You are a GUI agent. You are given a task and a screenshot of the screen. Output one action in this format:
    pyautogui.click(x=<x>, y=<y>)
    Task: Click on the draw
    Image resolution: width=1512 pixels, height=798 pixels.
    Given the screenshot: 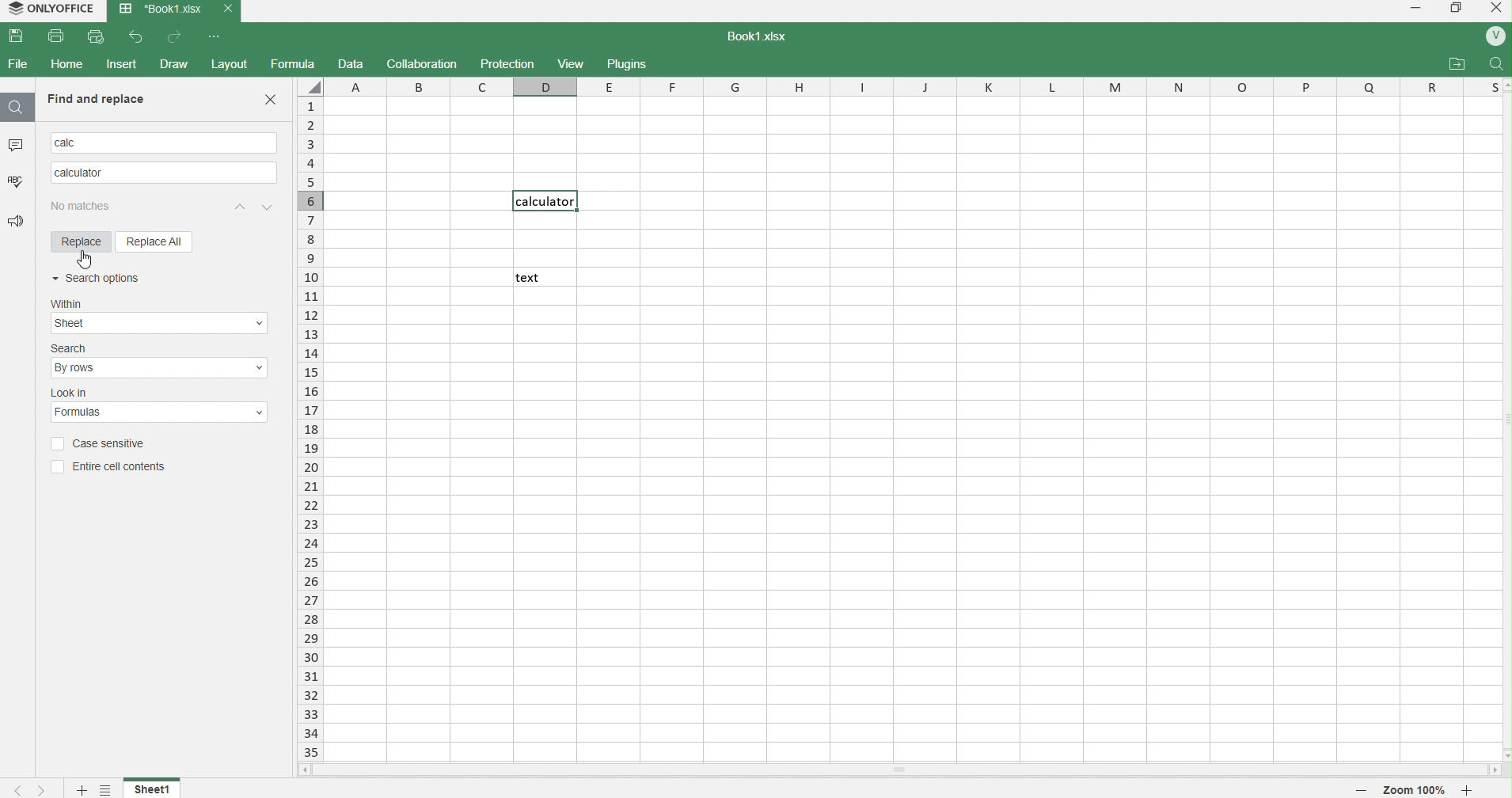 What is the action you would take?
    pyautogui.click(x=177, y=64)
    